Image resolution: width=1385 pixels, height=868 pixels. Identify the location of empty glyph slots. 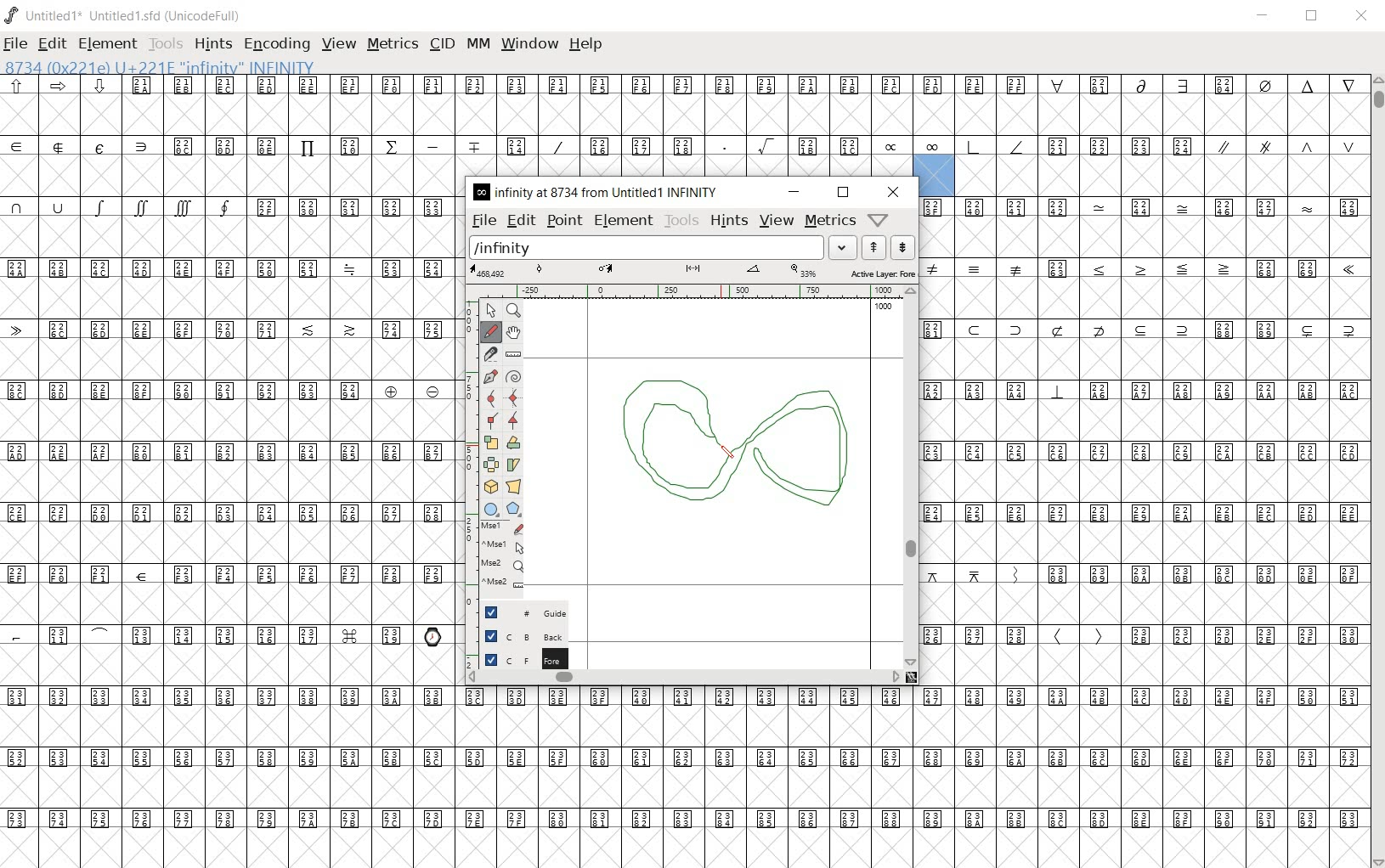
(1145, 359).